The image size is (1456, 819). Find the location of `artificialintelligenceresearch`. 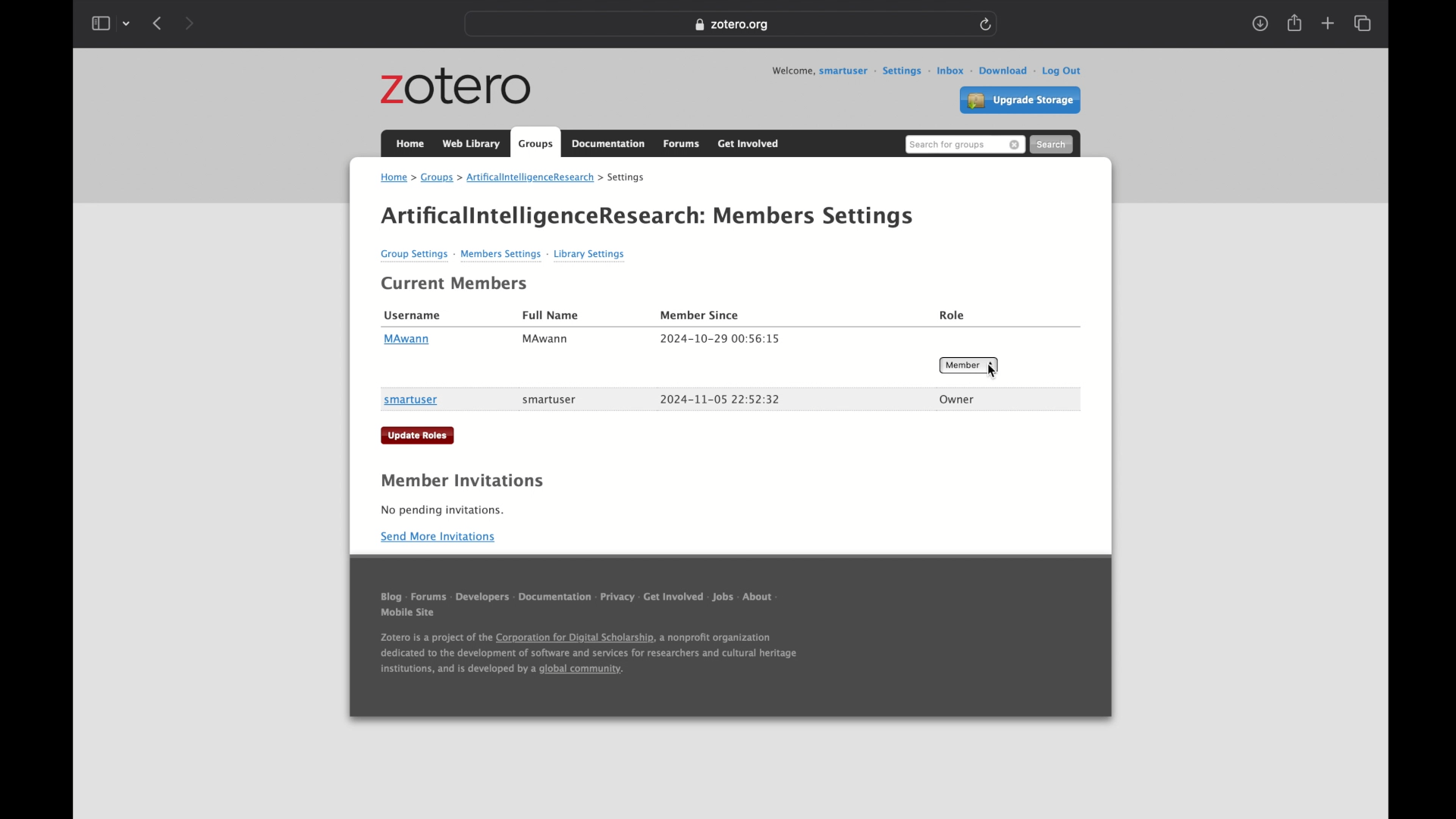

artificialintelligenceresearch is located at coordinates (525, 178).